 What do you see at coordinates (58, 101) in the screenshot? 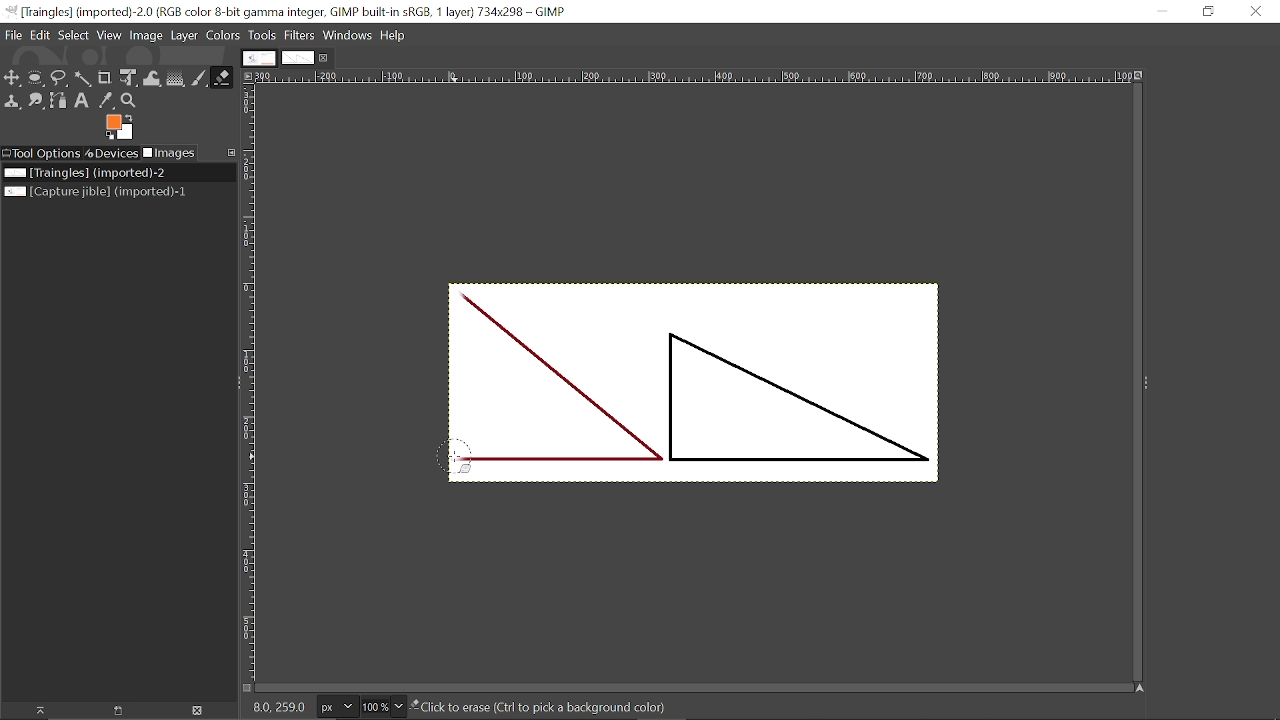
I see `Path tool` at bounding box center [58, 101].